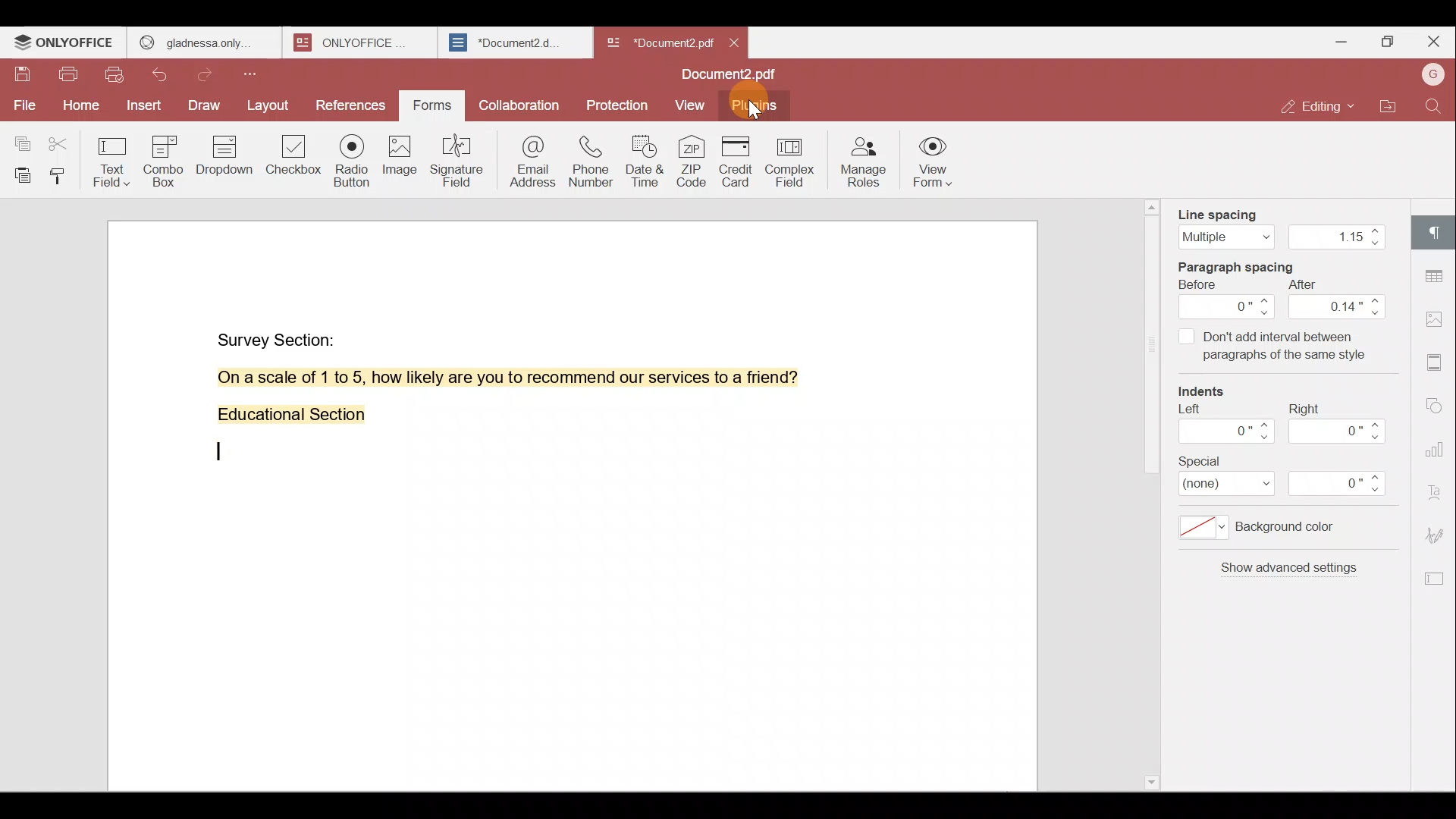  I want to click on Left, so click(1223, 428).